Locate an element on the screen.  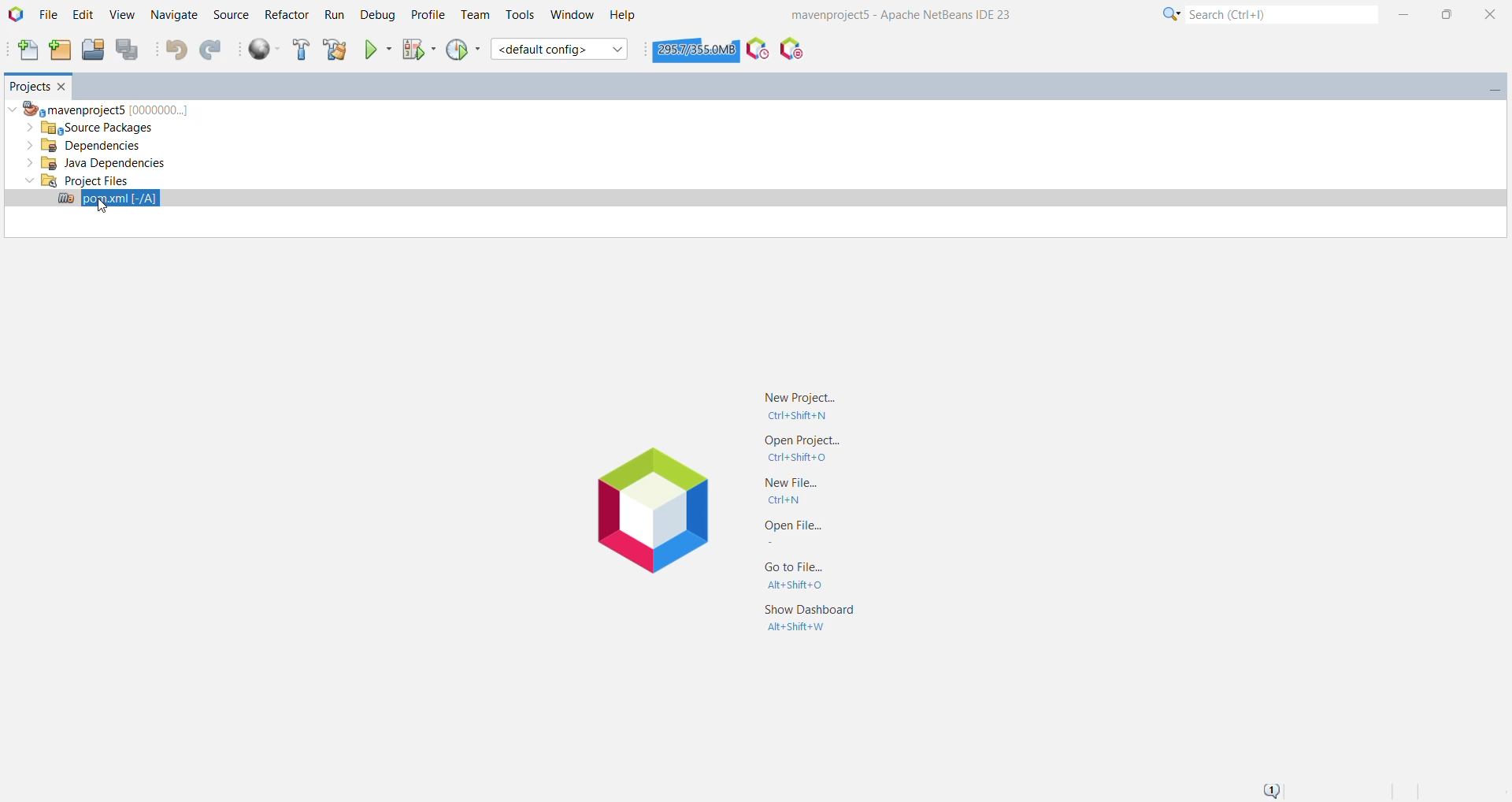
Project Files is located at coordinates (77, 180).